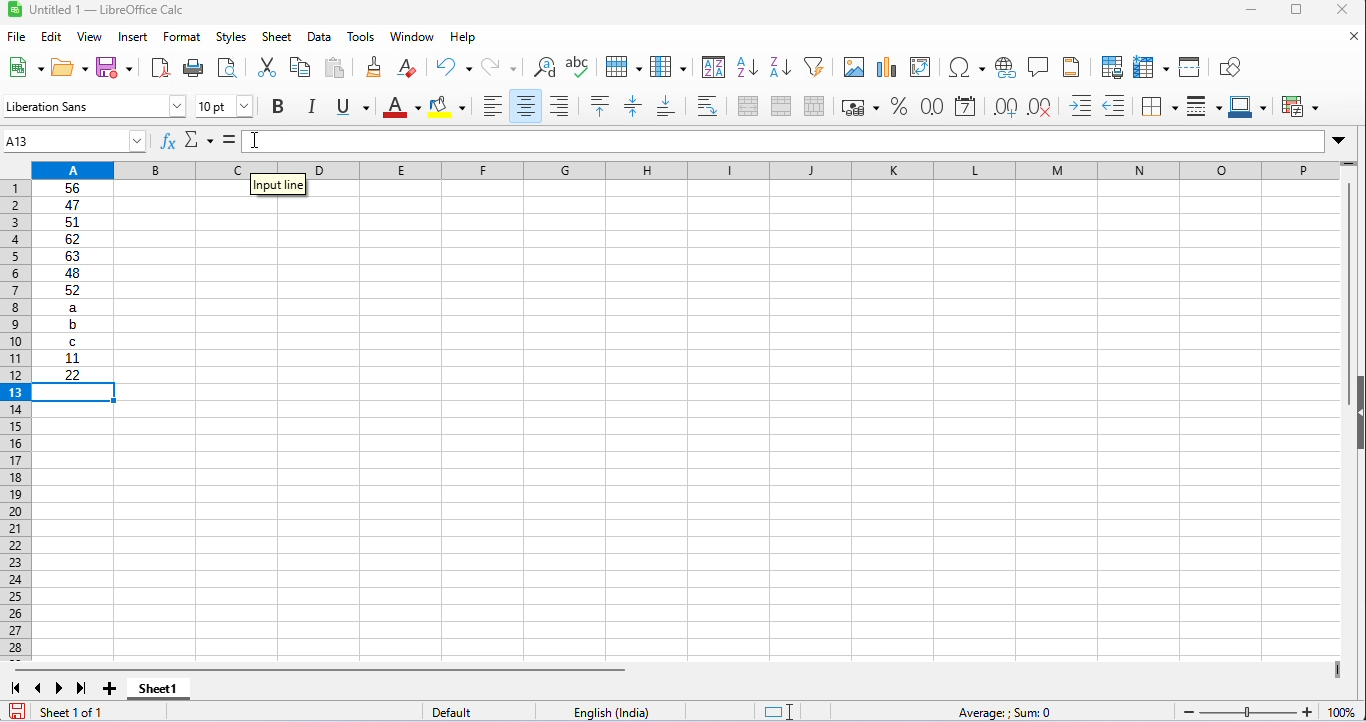 This screenshot has width=1366, height=722. Describe the element at coordinates (499, 68) in the screenshot. I see `redo` at that location.